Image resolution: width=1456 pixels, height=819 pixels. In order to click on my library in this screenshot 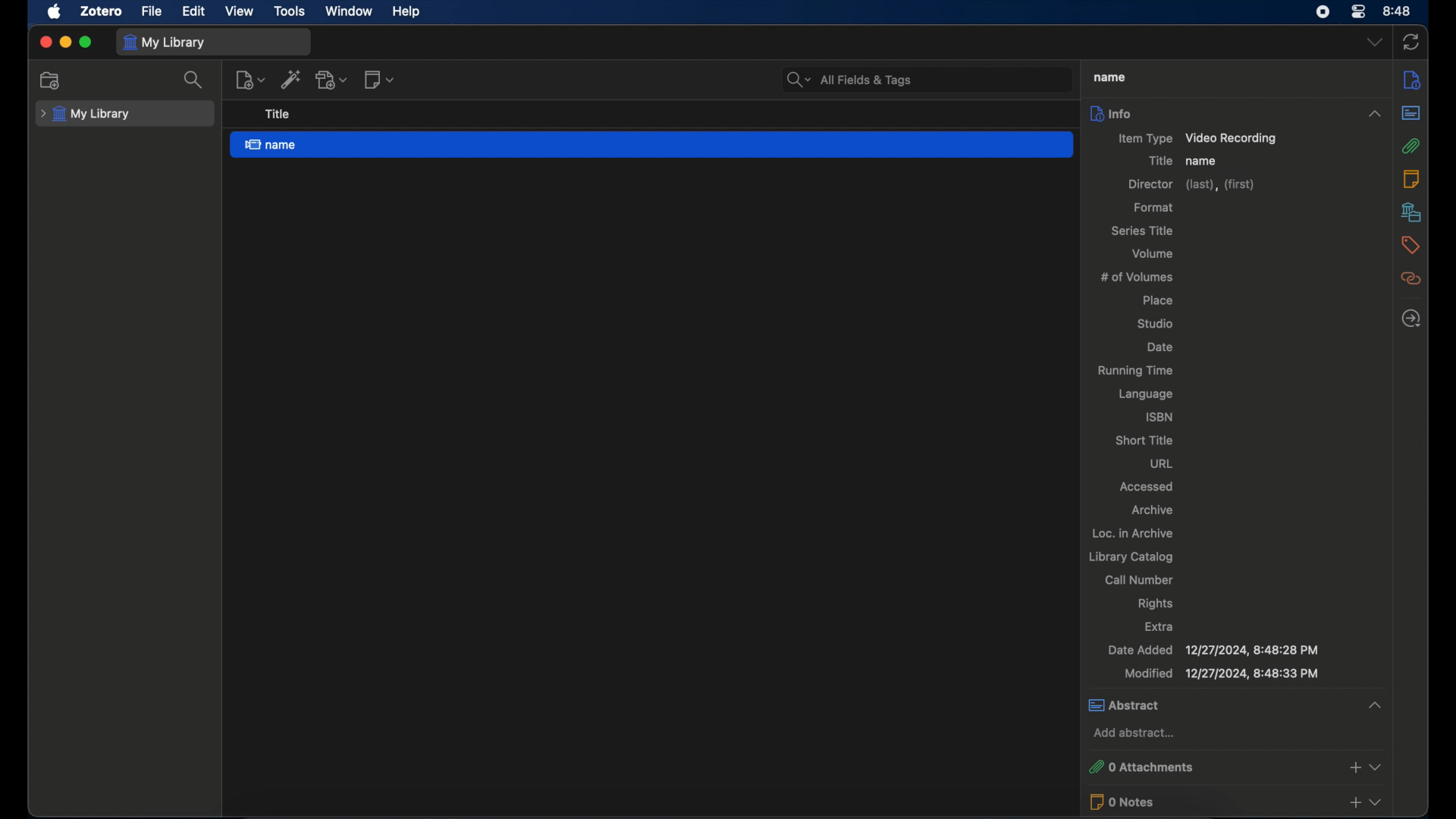, I will do `click(164, 43)`.